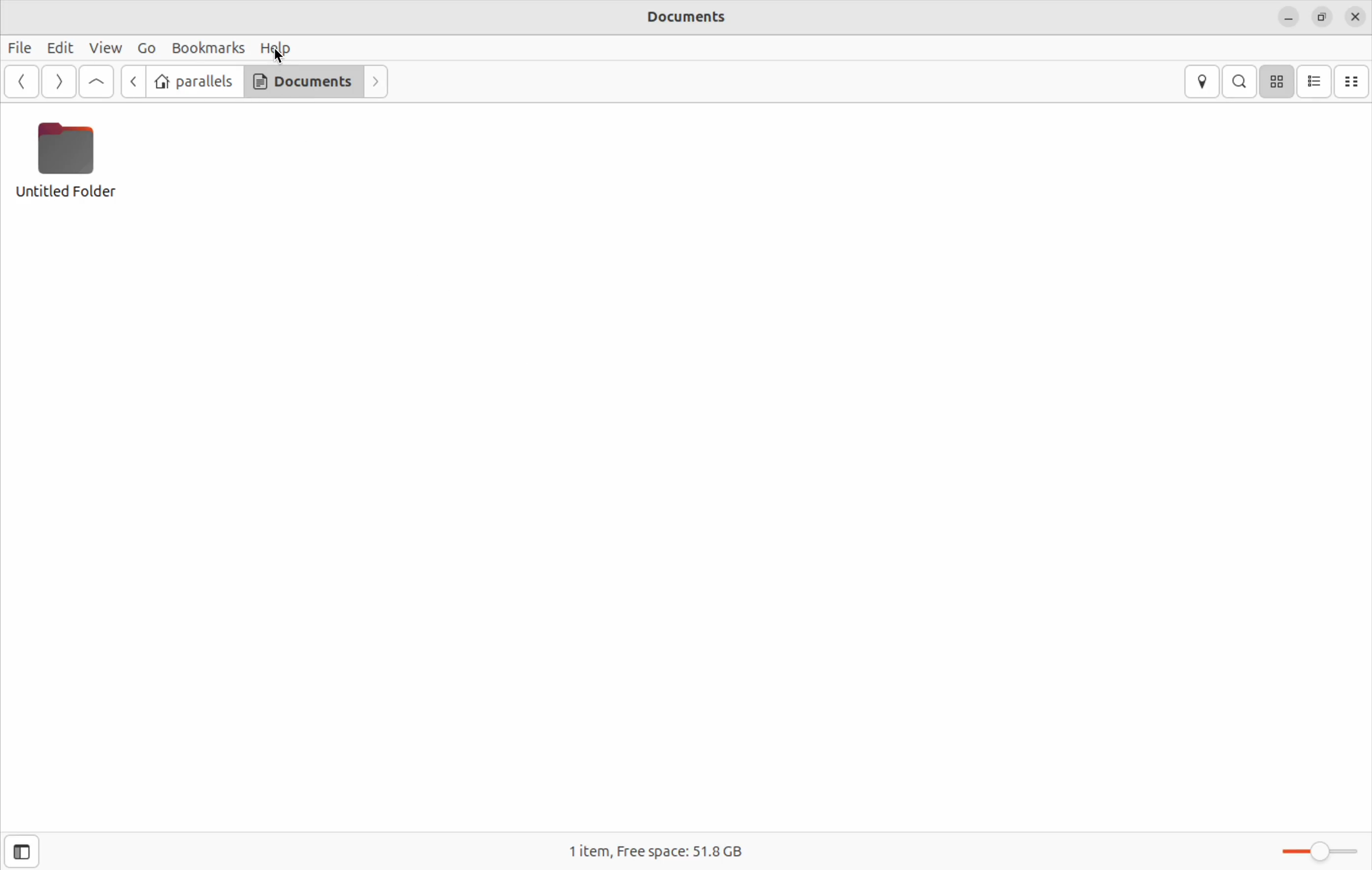  What do you see at coordinates (1354, 81) in the screenshot?
I see `compact view` at bounding box center [1354, 81].